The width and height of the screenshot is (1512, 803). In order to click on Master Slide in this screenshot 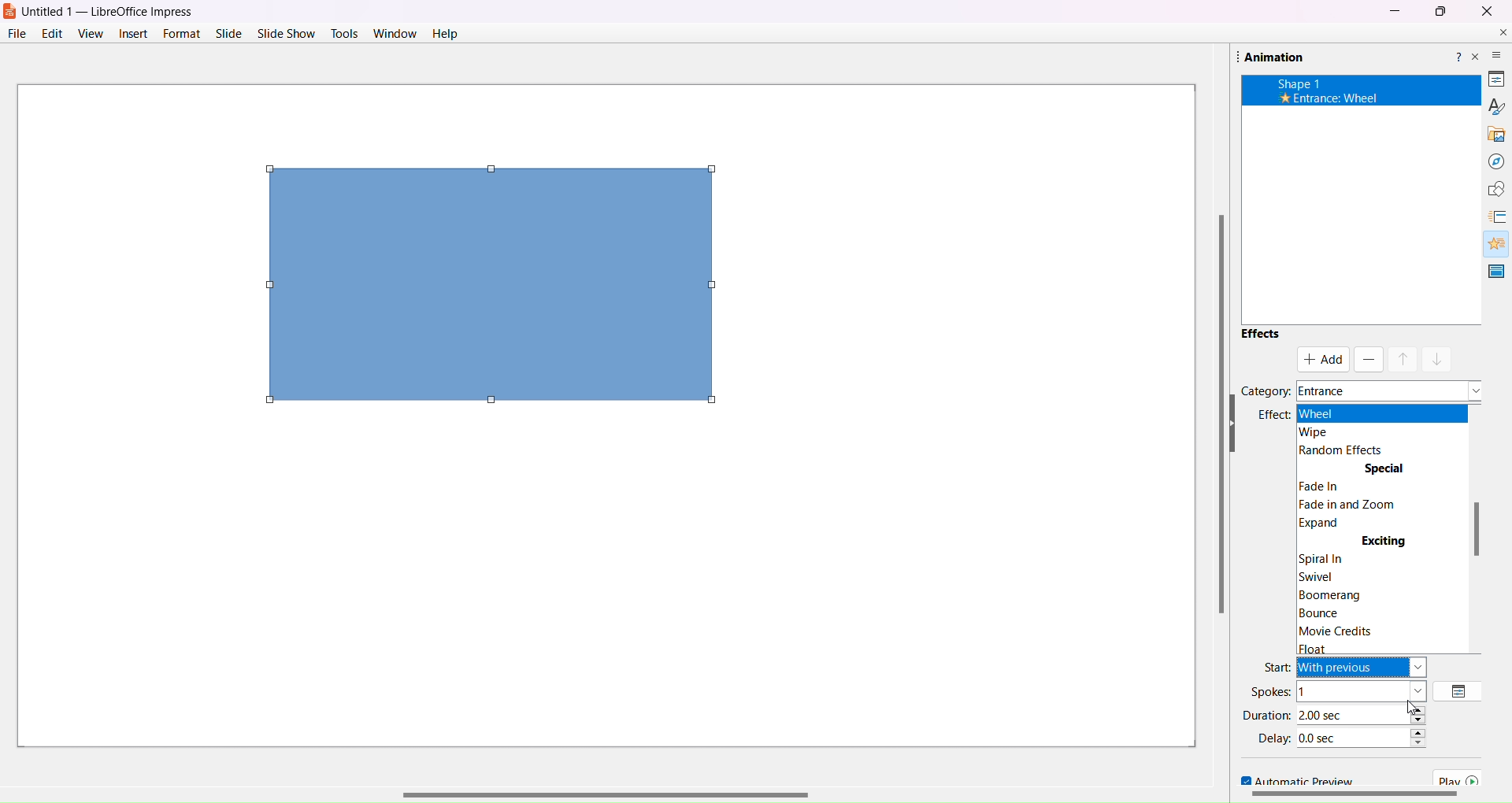, I will do `click(1497, 271)`.